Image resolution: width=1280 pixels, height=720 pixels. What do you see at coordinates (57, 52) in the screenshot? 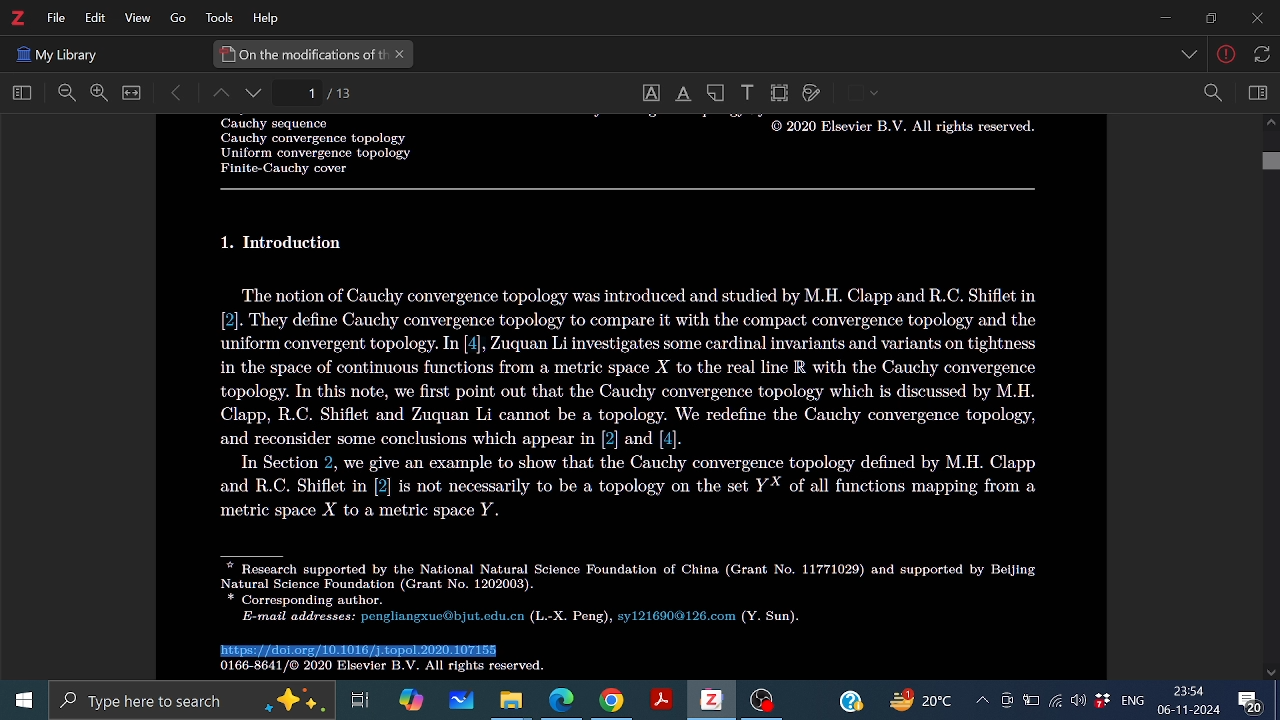
I see `` at bounding box center [57, 52].